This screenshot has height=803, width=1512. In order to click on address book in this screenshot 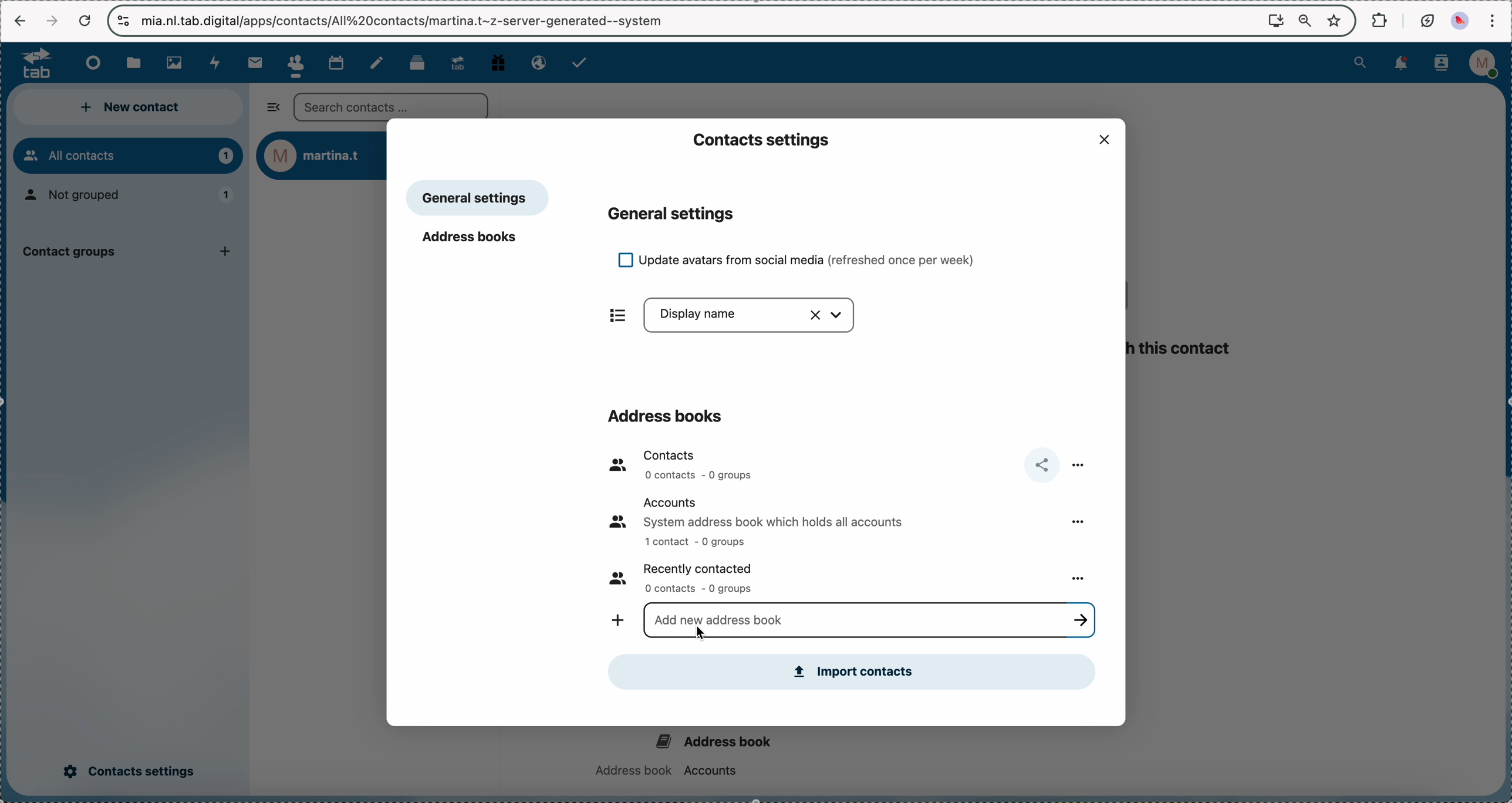, I will do `click(682, 751)`.